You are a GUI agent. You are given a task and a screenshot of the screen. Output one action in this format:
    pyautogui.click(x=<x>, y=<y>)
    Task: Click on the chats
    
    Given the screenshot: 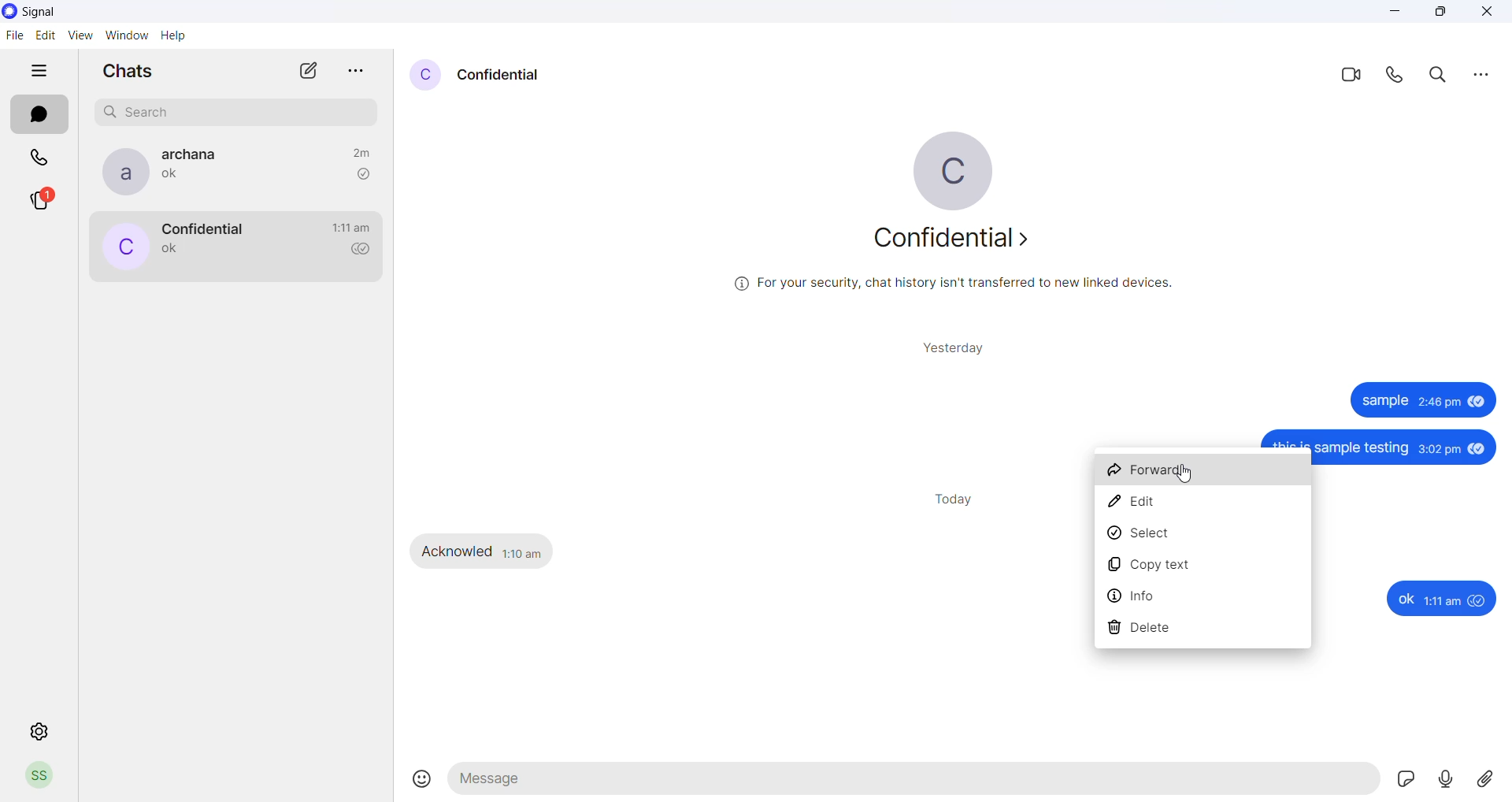 What is the action you would take?
    pyautogui.click(x=39, y=115)
    